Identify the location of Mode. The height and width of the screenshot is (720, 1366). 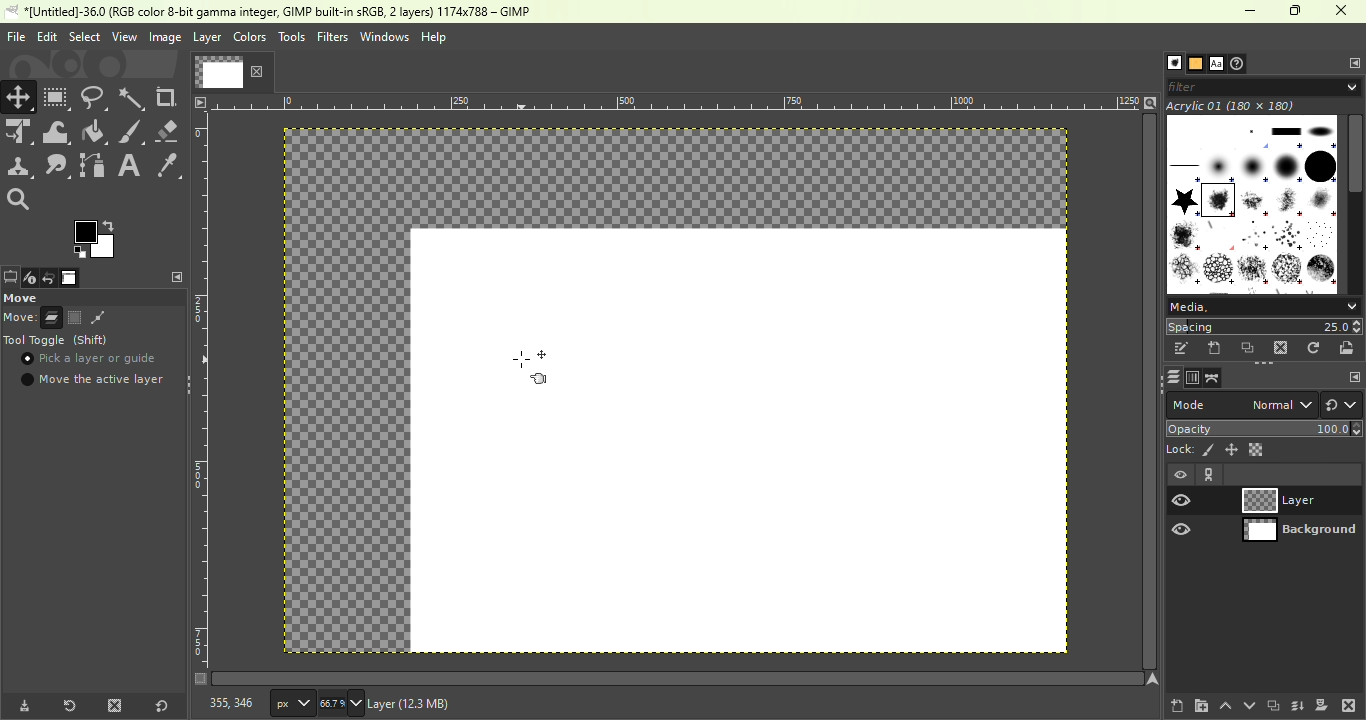
(33, 318).